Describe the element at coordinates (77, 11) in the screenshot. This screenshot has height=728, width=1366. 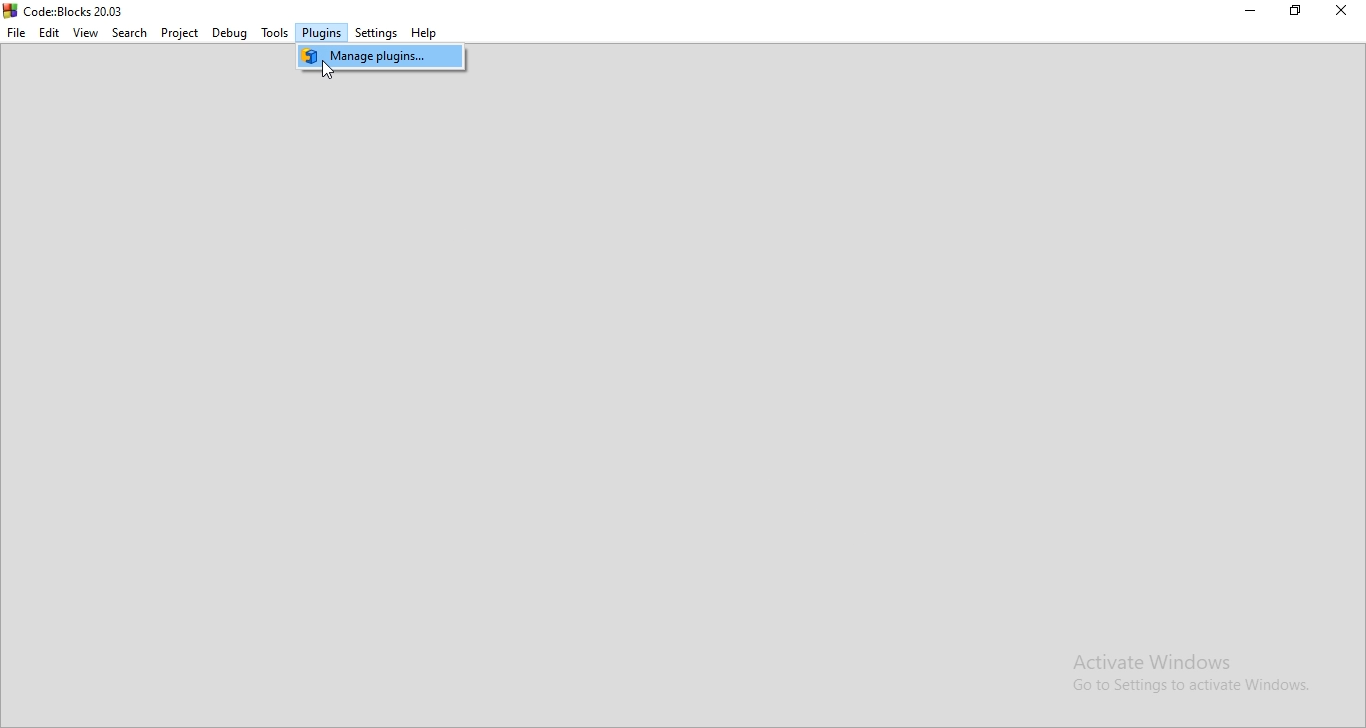
I see `Code: Blocks 20.03` at that location.